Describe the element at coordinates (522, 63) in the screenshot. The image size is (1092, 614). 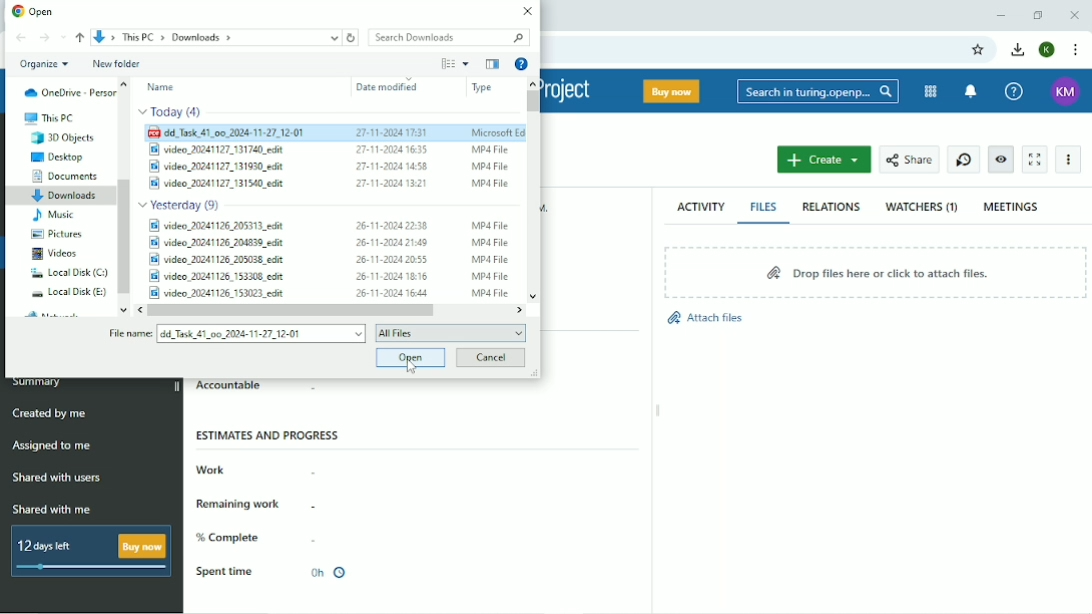
I see `Get help` at that location.